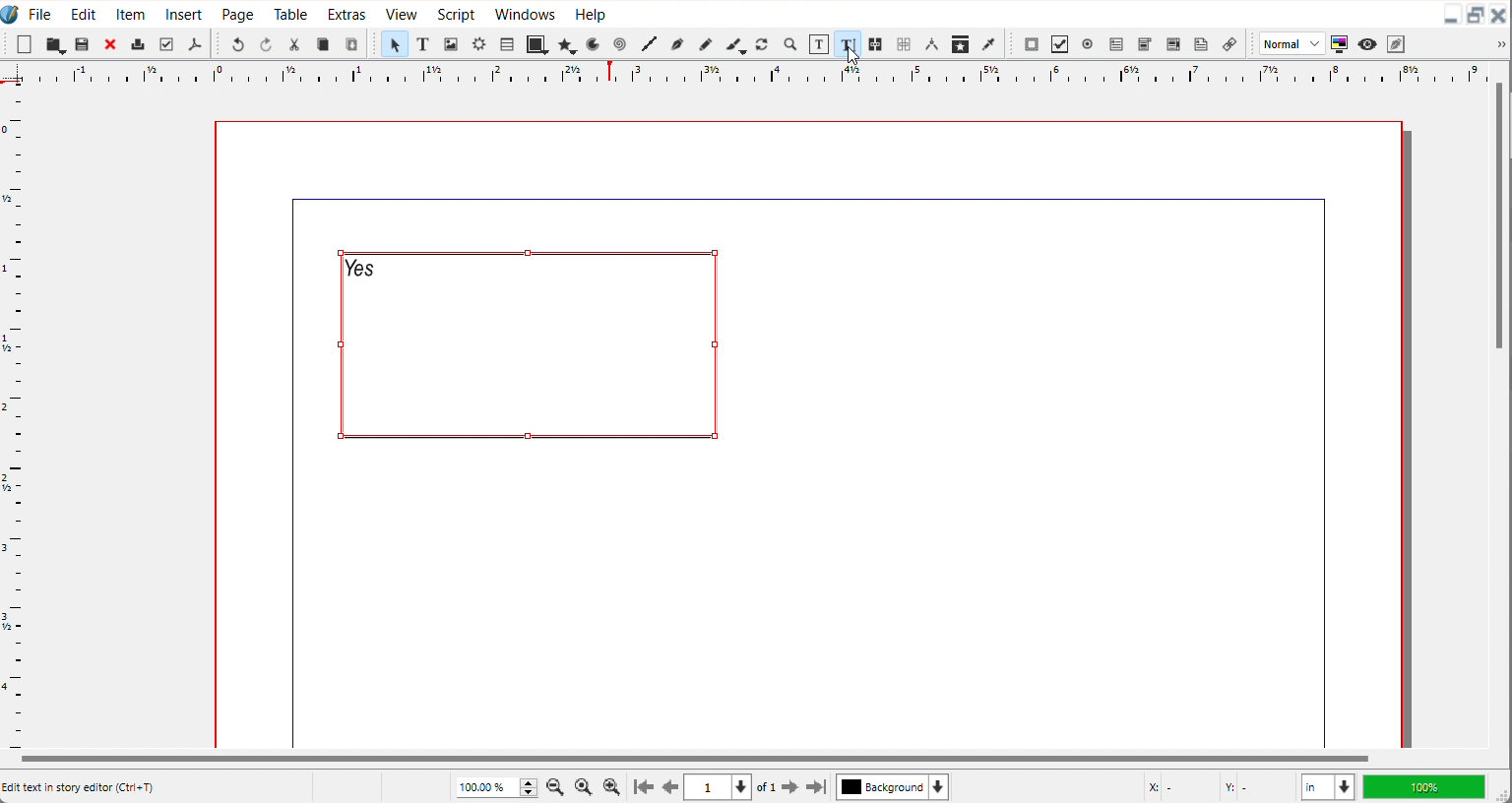 This screenshot has height=803, width=1512. Describe the element at coordinates (1115, 45) in the screenshot. I see `PDF text field` at that location.